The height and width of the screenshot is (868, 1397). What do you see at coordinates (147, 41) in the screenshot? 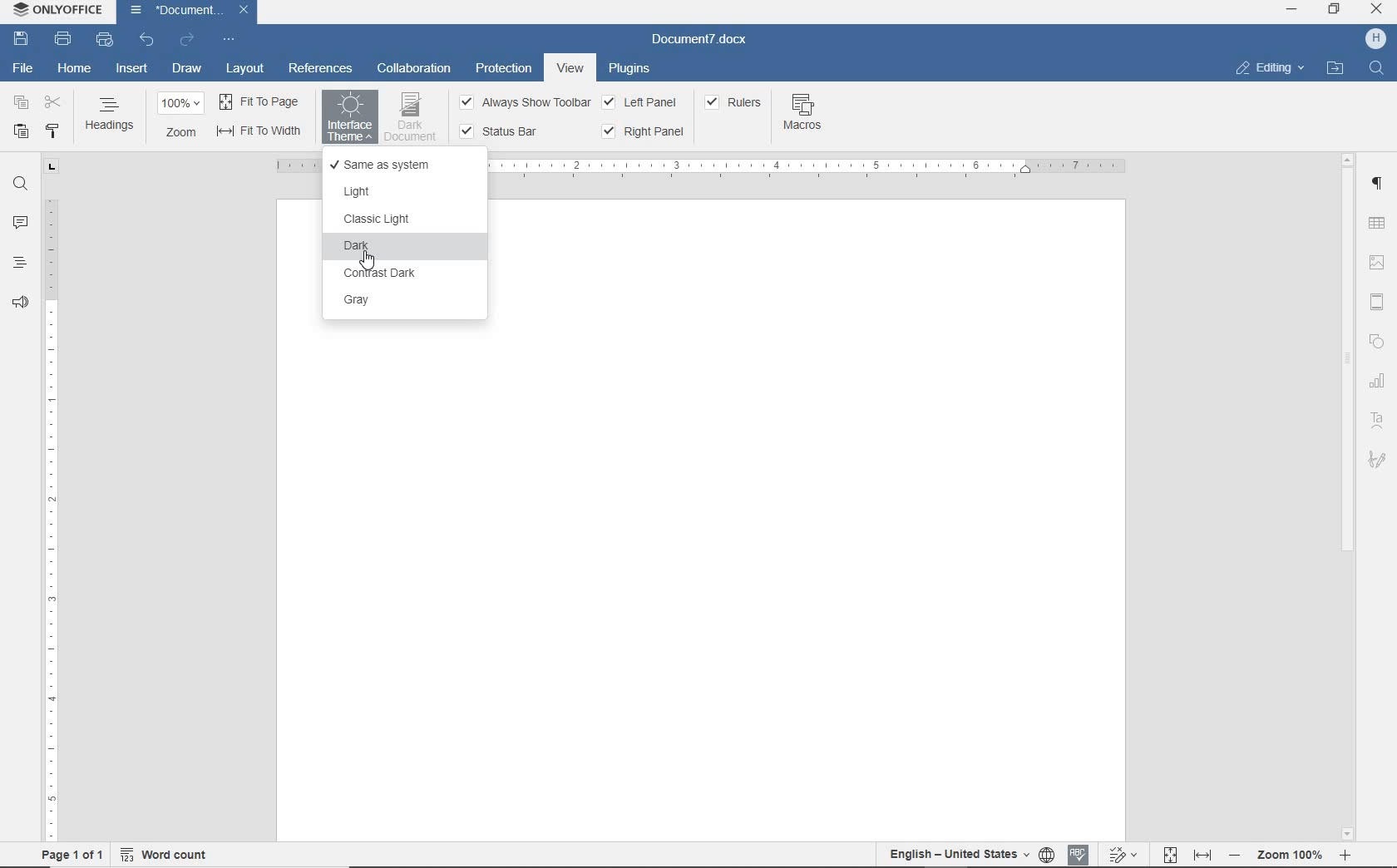
I see `UNDO` at bounding box center [147, 41].